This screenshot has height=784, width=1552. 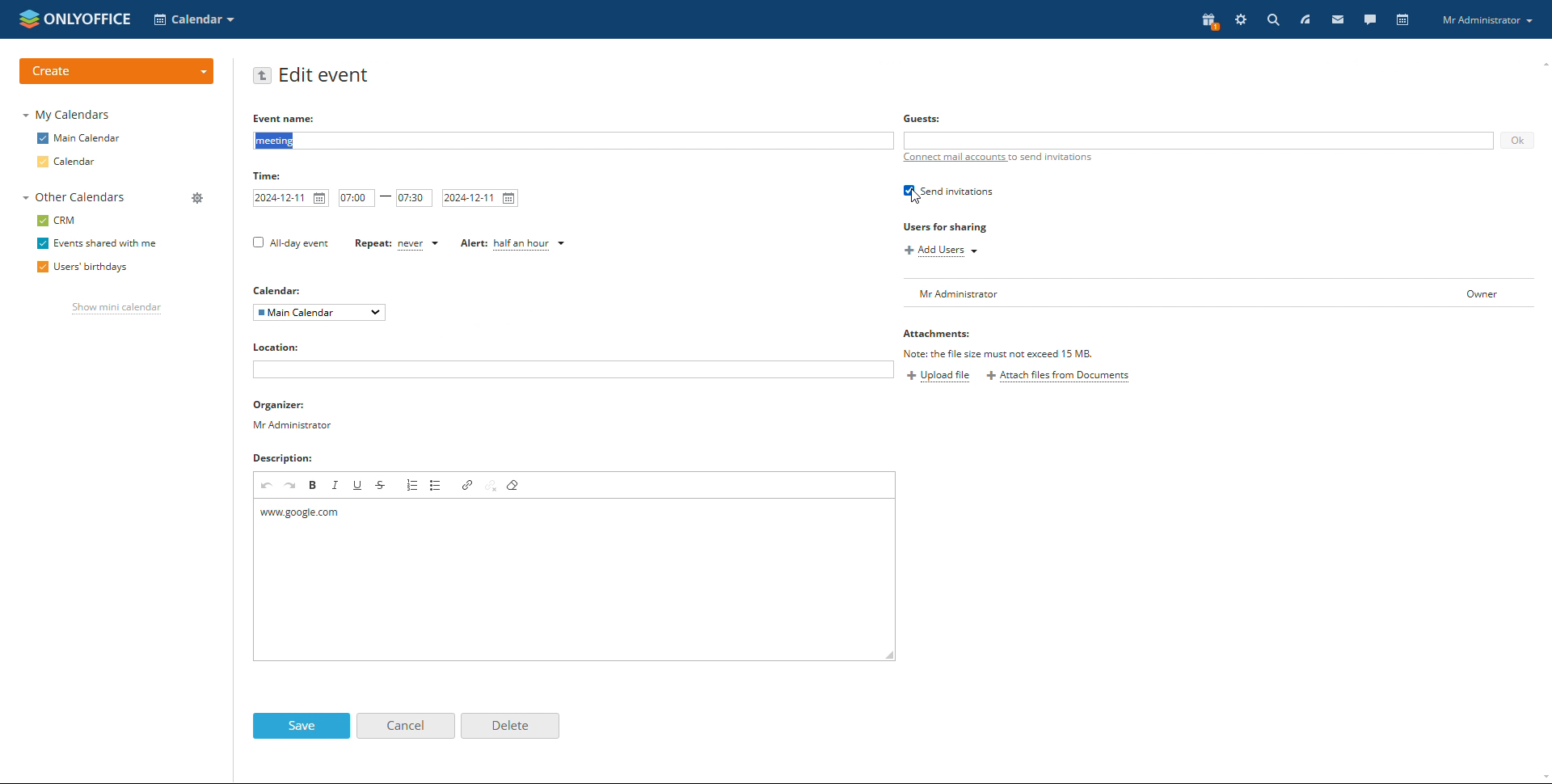 What do you see at coordinates (292, 244) in the screenshot?
I see `all-day event` at bounding box center [292, 244].